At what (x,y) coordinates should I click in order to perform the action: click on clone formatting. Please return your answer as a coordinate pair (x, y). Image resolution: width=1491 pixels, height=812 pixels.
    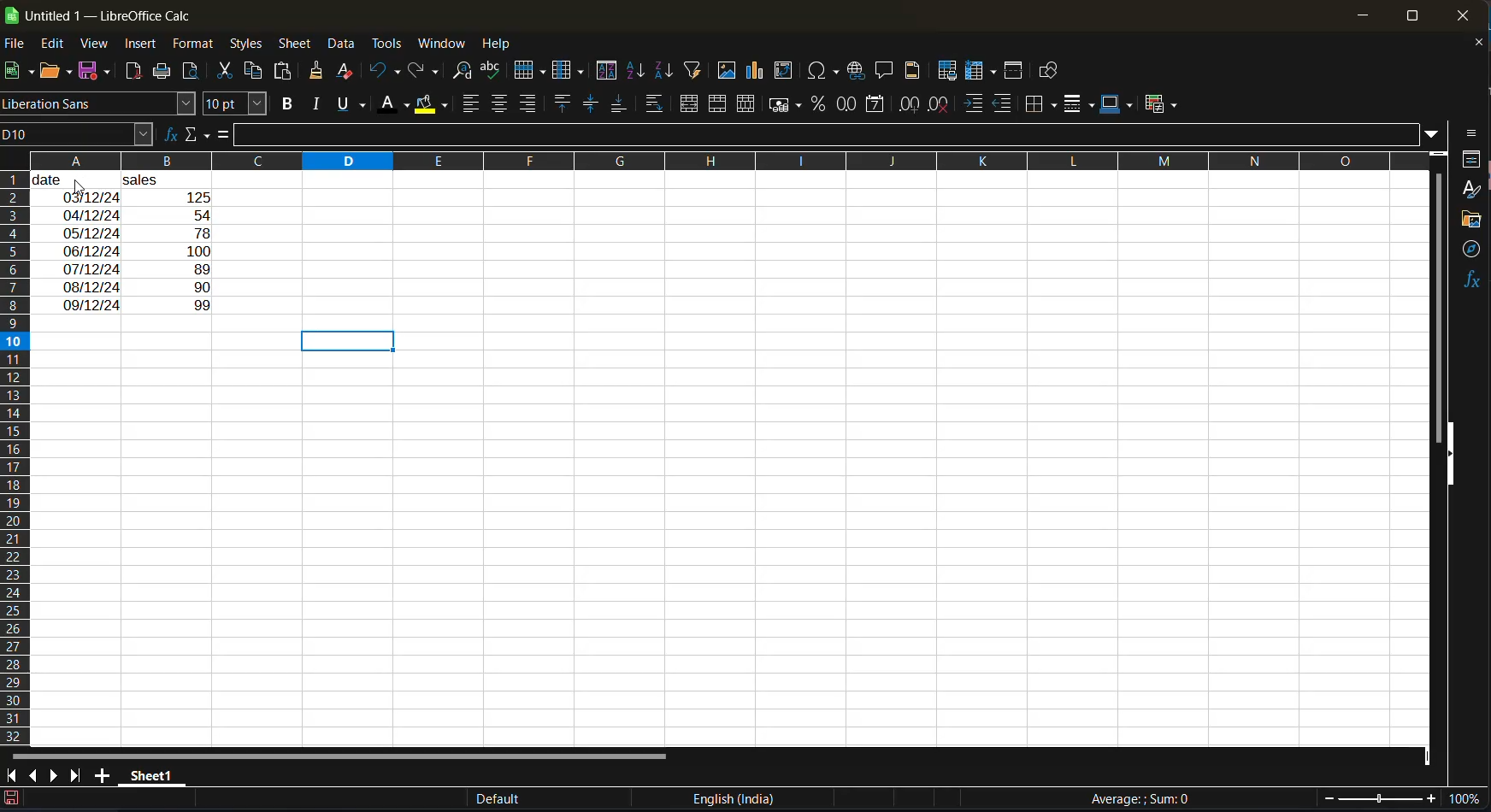
    Looking at the image, I should click on (318, 72).